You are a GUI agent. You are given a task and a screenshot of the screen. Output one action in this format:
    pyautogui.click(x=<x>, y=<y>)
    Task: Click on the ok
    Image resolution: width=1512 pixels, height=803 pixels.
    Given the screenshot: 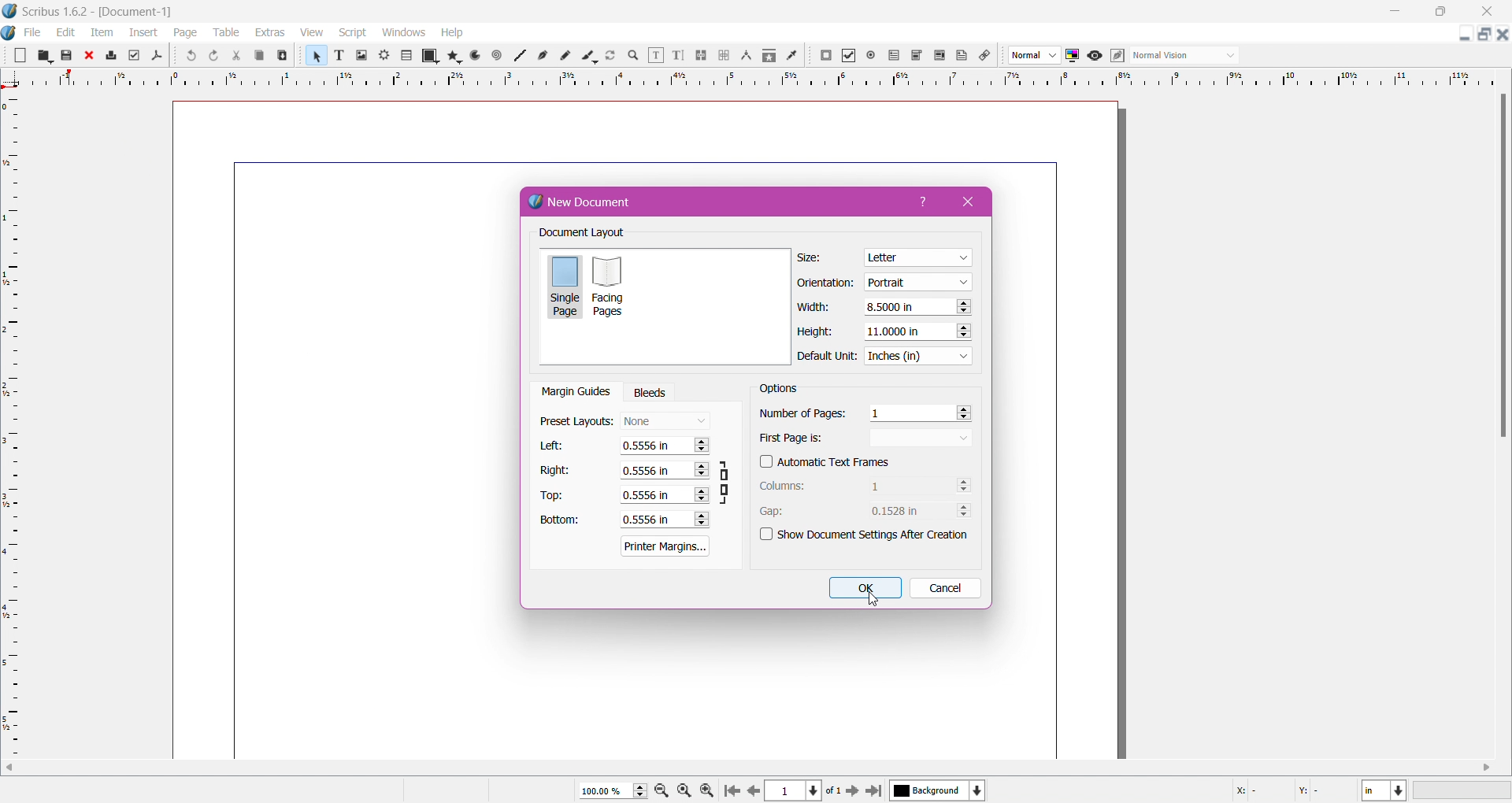 What is the action you would take?
    pyautogui.click(x=863, y=587)
    